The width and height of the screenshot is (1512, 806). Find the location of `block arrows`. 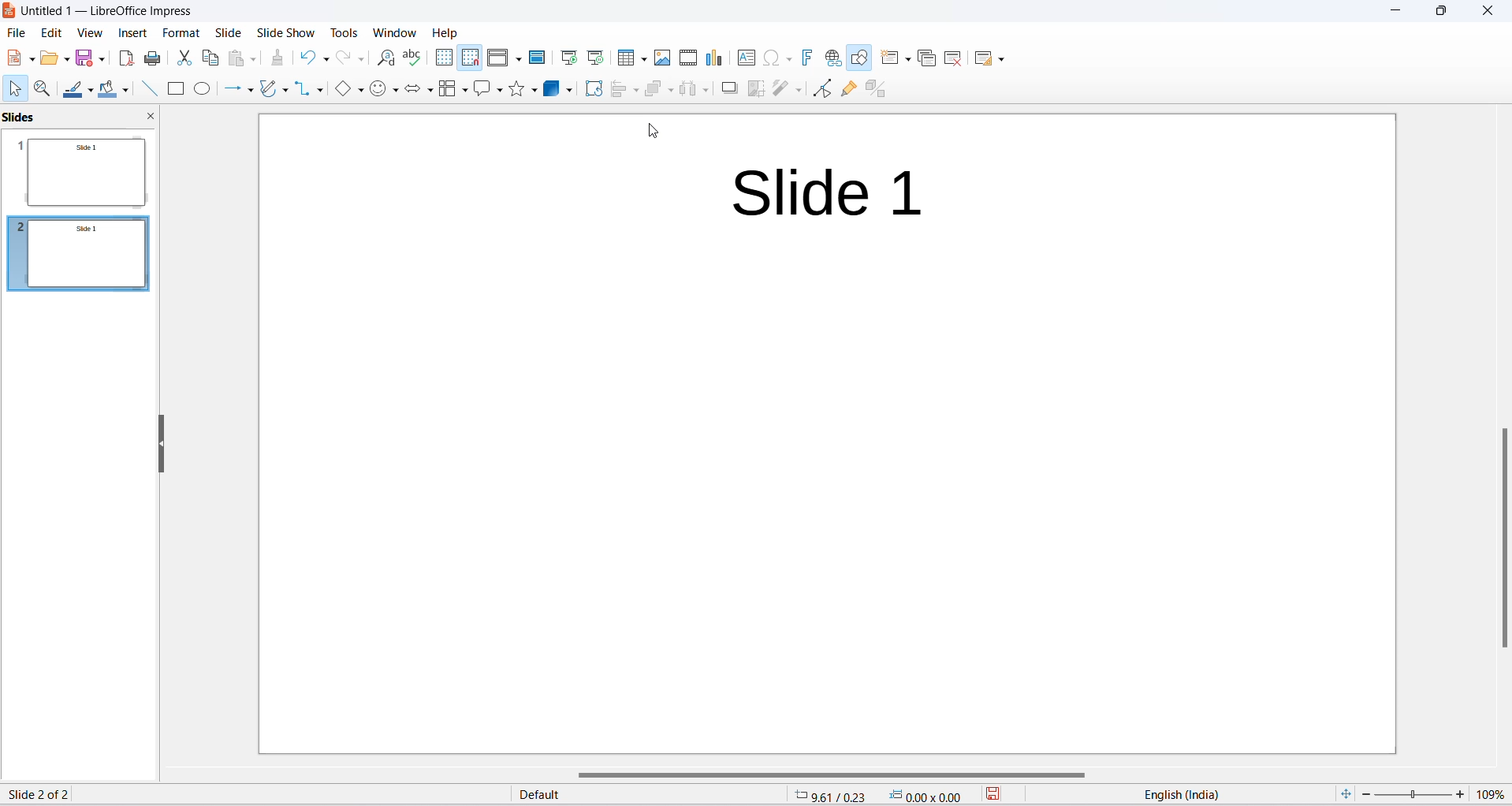

block arrows is located at coordinates (420, 89).